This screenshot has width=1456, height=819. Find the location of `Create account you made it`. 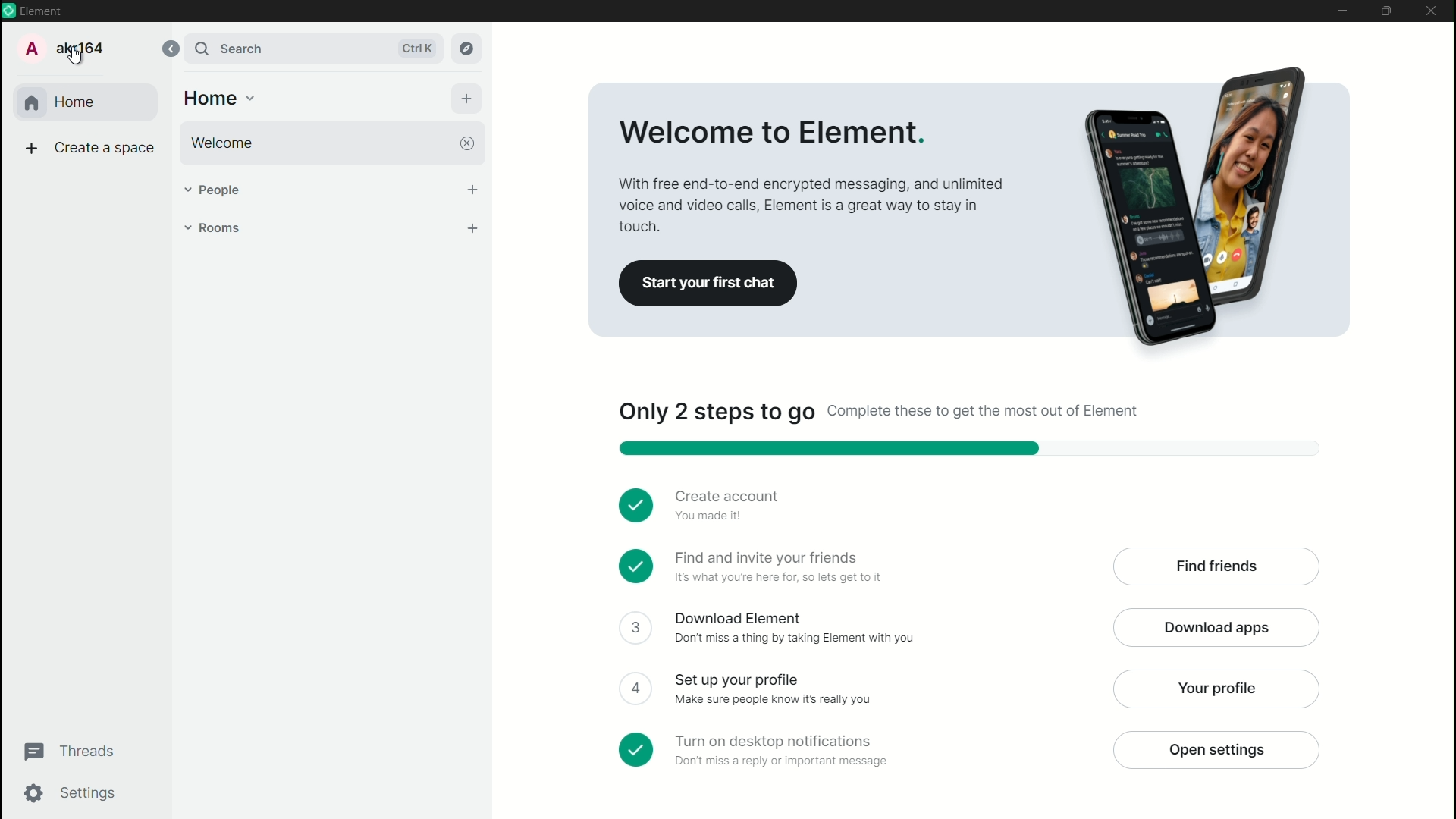

Create account you made it is located at coordinates (726, 507).